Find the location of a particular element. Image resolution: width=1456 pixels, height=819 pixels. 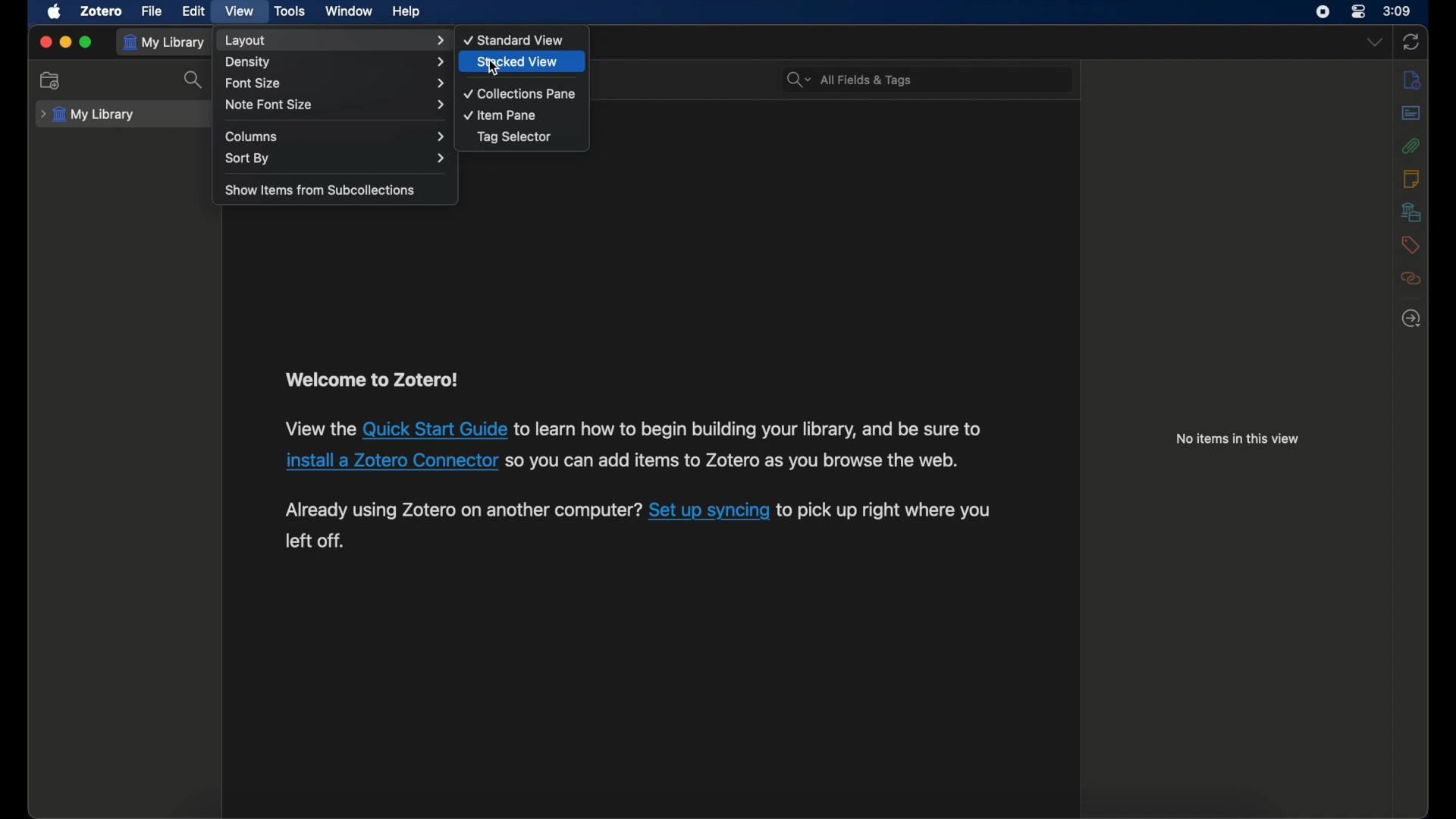

edit is located at coordinates (193, 11).